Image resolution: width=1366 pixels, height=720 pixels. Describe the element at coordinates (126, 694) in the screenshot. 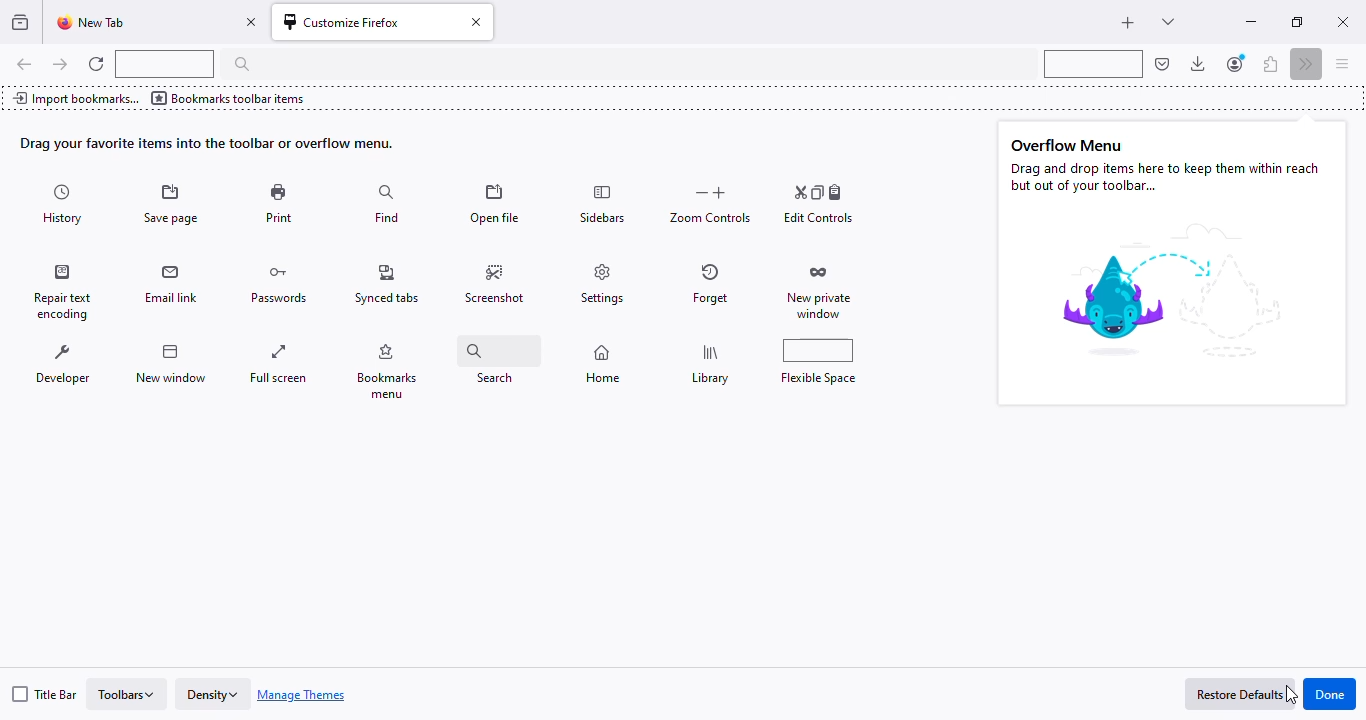

I see `toolbars` at that location.